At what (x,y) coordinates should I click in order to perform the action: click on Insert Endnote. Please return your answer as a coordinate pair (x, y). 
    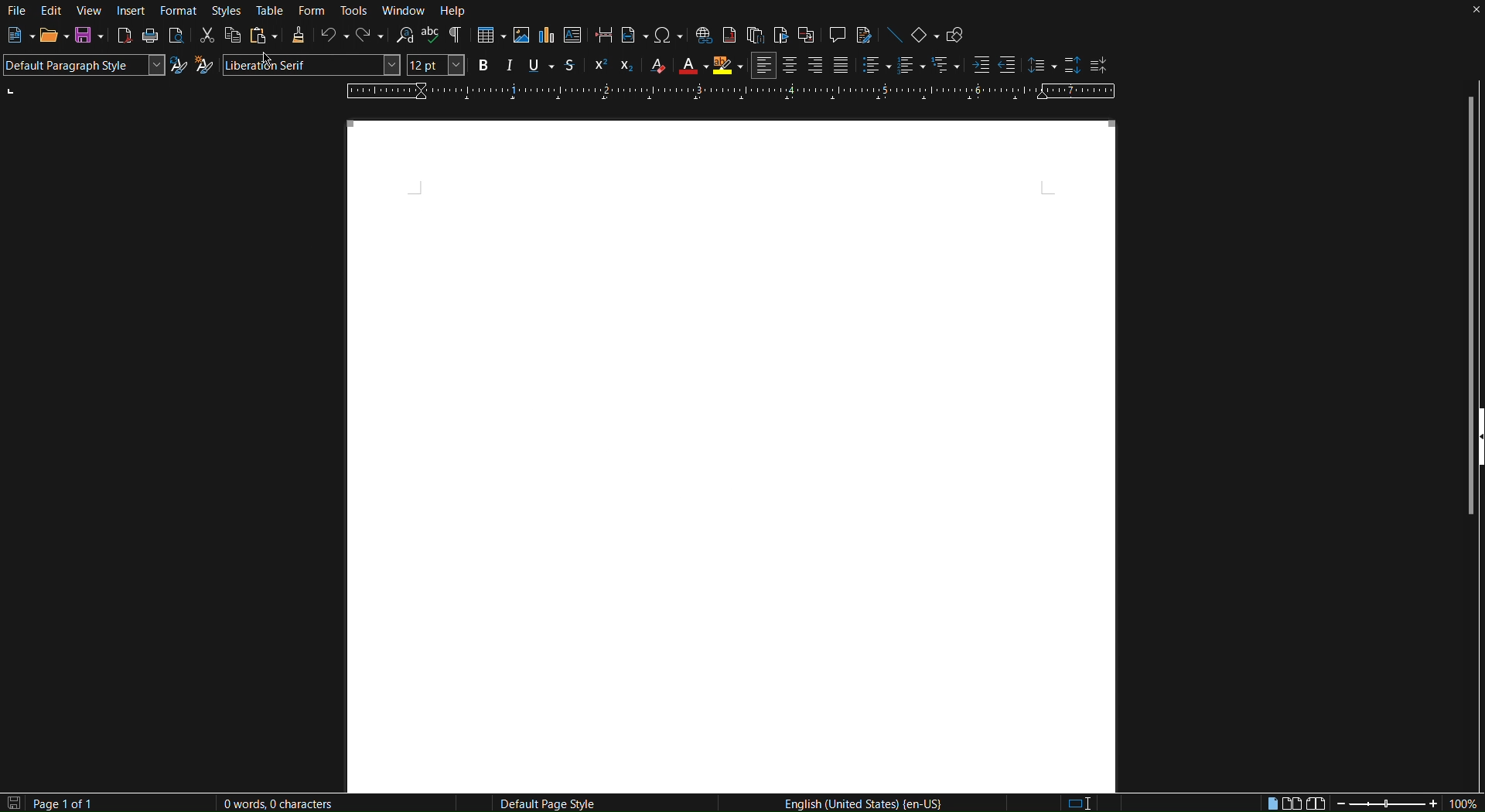
    Looking at the image, I should click on (754, 37).